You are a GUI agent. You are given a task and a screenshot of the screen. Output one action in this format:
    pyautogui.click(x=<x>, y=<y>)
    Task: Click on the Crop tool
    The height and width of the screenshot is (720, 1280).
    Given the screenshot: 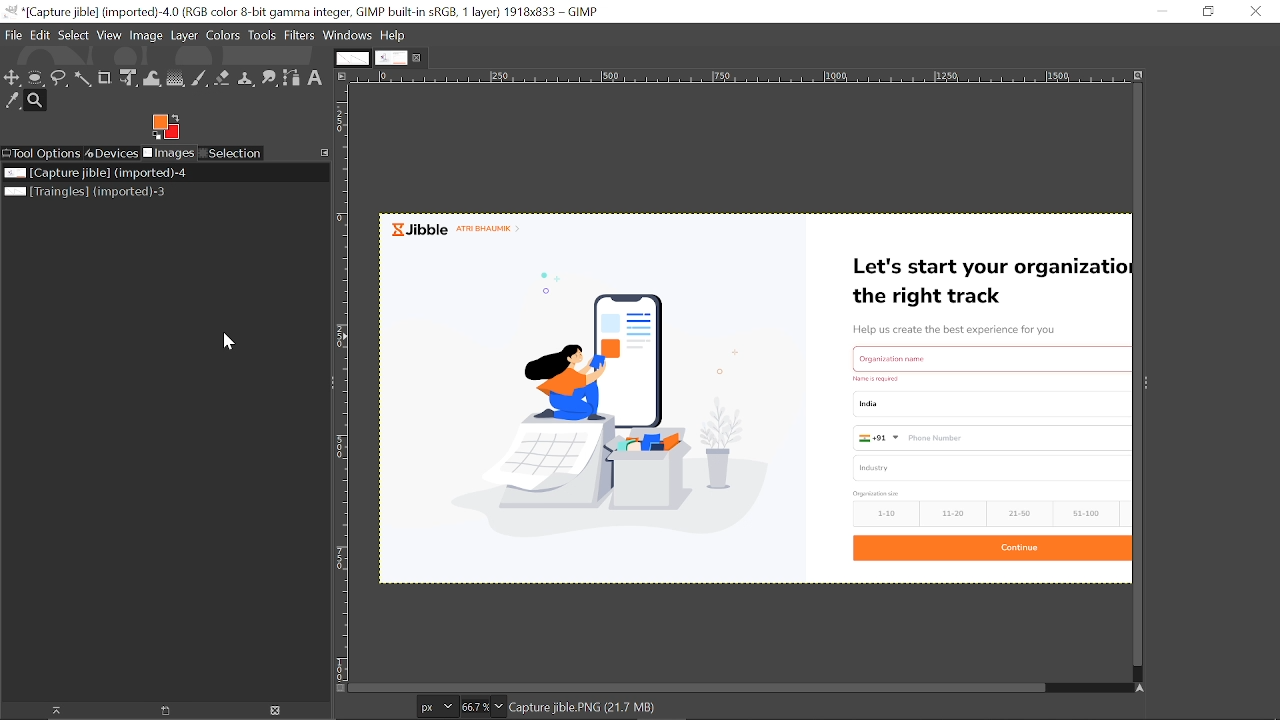 What is the action you would take?
    pyautogui.click(x=105, y=77)
    